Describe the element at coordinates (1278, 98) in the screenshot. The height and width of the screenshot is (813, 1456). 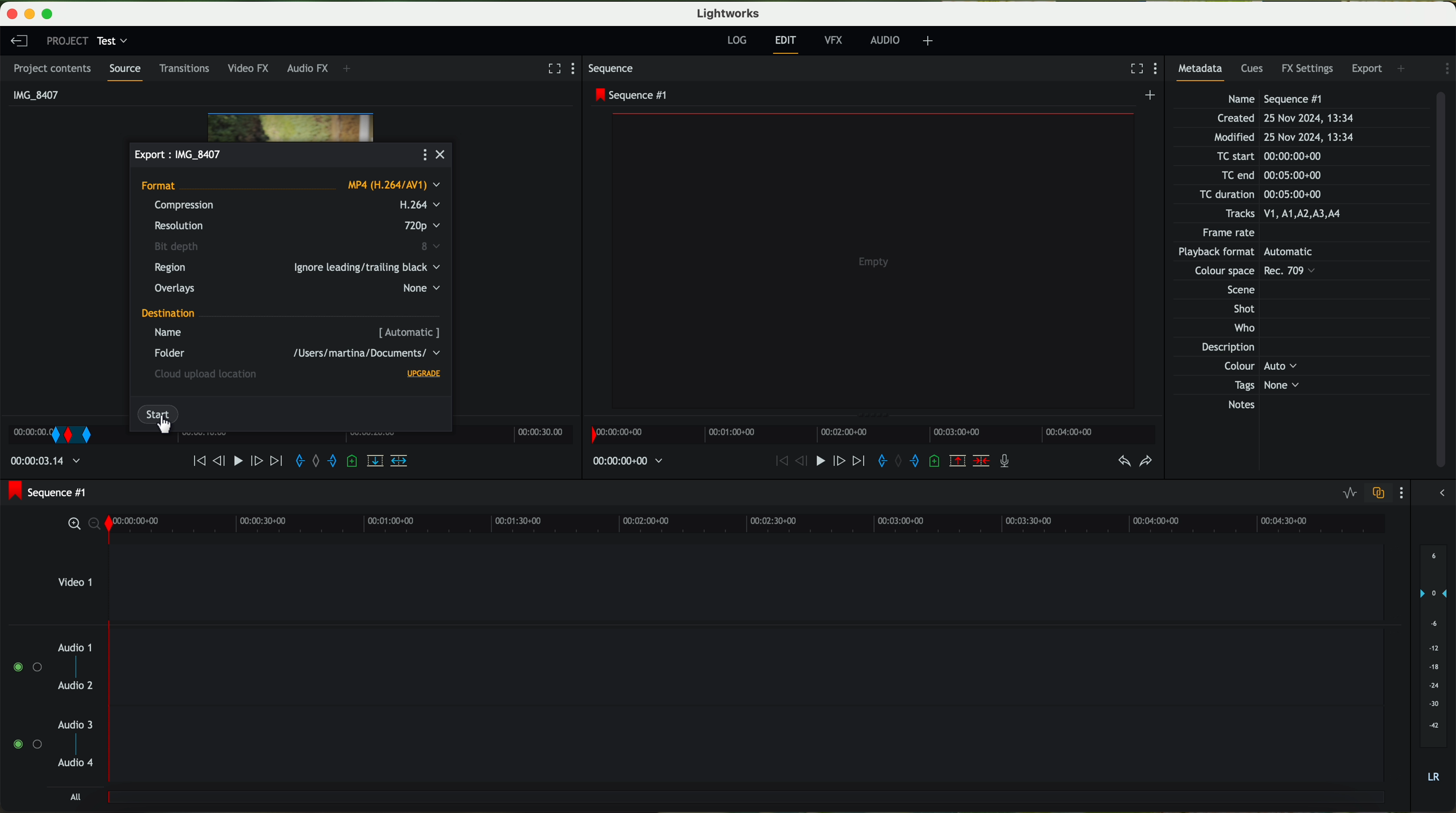
I see `Name` at that location.